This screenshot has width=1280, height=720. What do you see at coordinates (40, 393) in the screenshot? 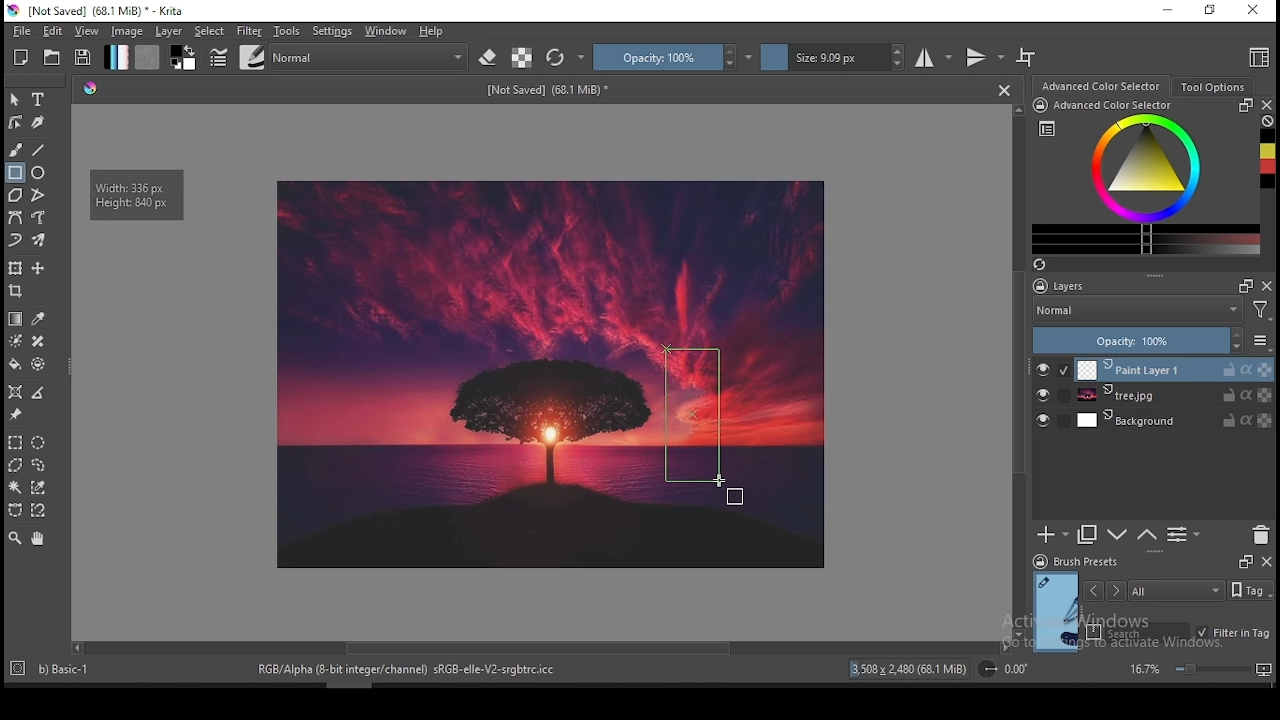
I see `measure distance between two points` at bounding box center [40, 393].